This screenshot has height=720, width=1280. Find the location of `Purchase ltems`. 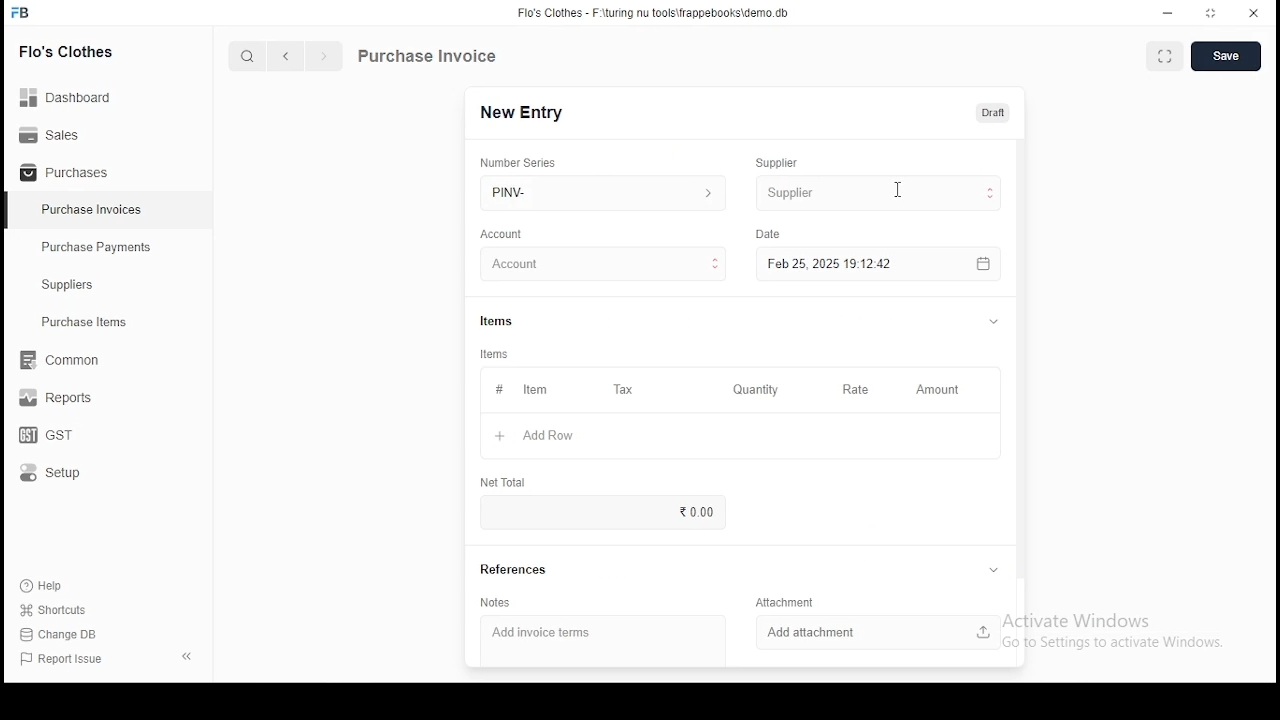

Purchase ltems is located at coordinates (75, 323).